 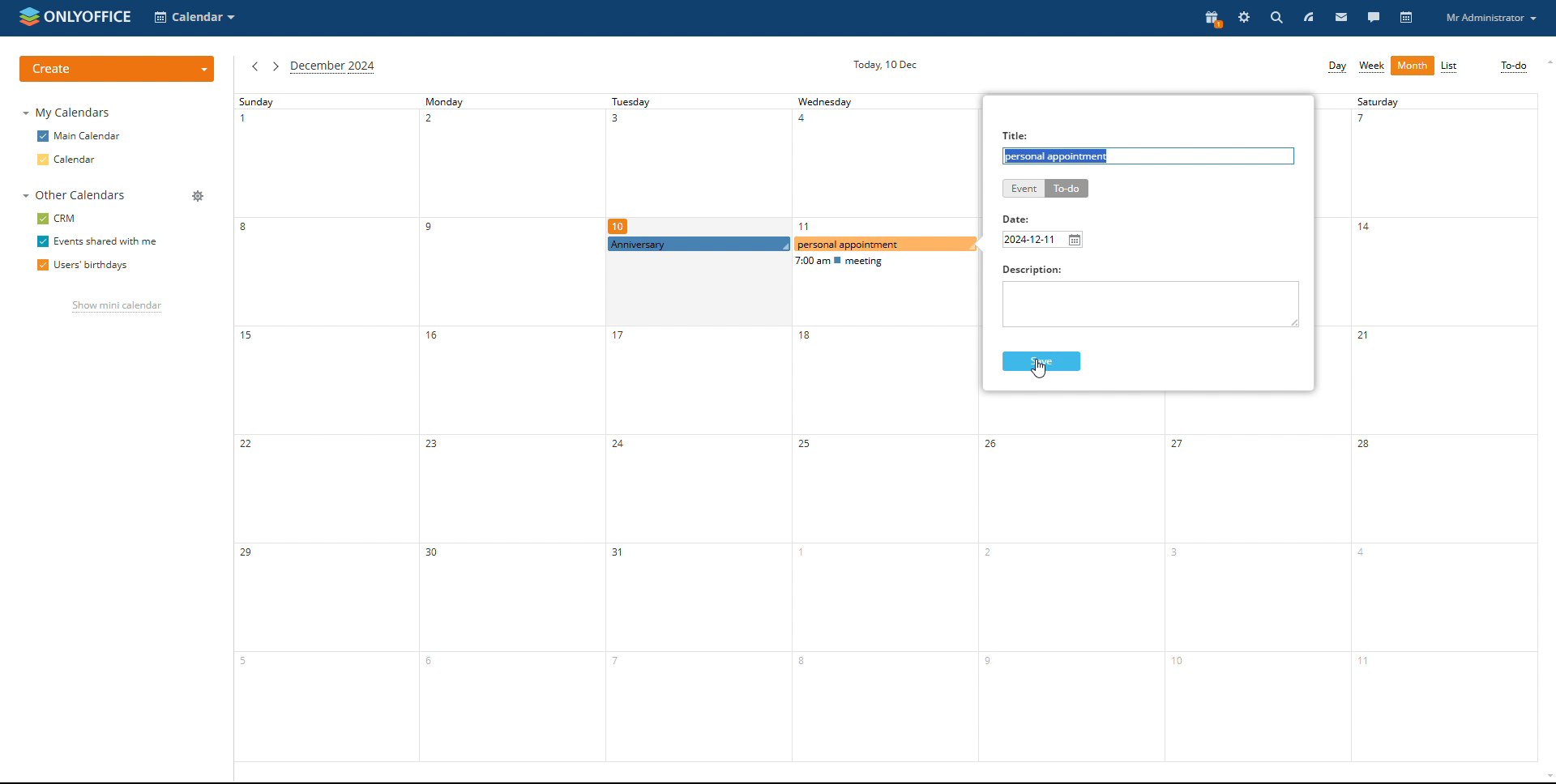 I want to click on talk, so click(x=1373, y=19).